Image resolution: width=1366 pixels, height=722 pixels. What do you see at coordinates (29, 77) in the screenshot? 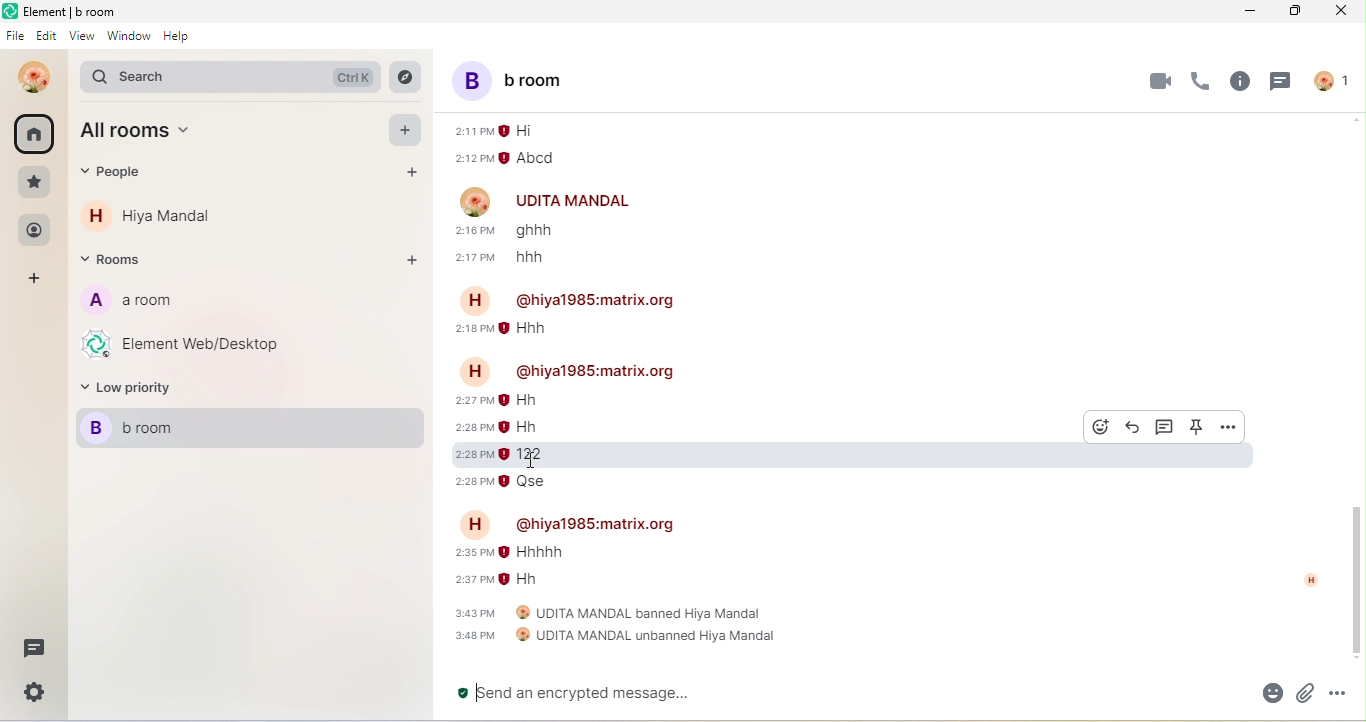
I see `udita mandal` at bounding box center [29, 77].